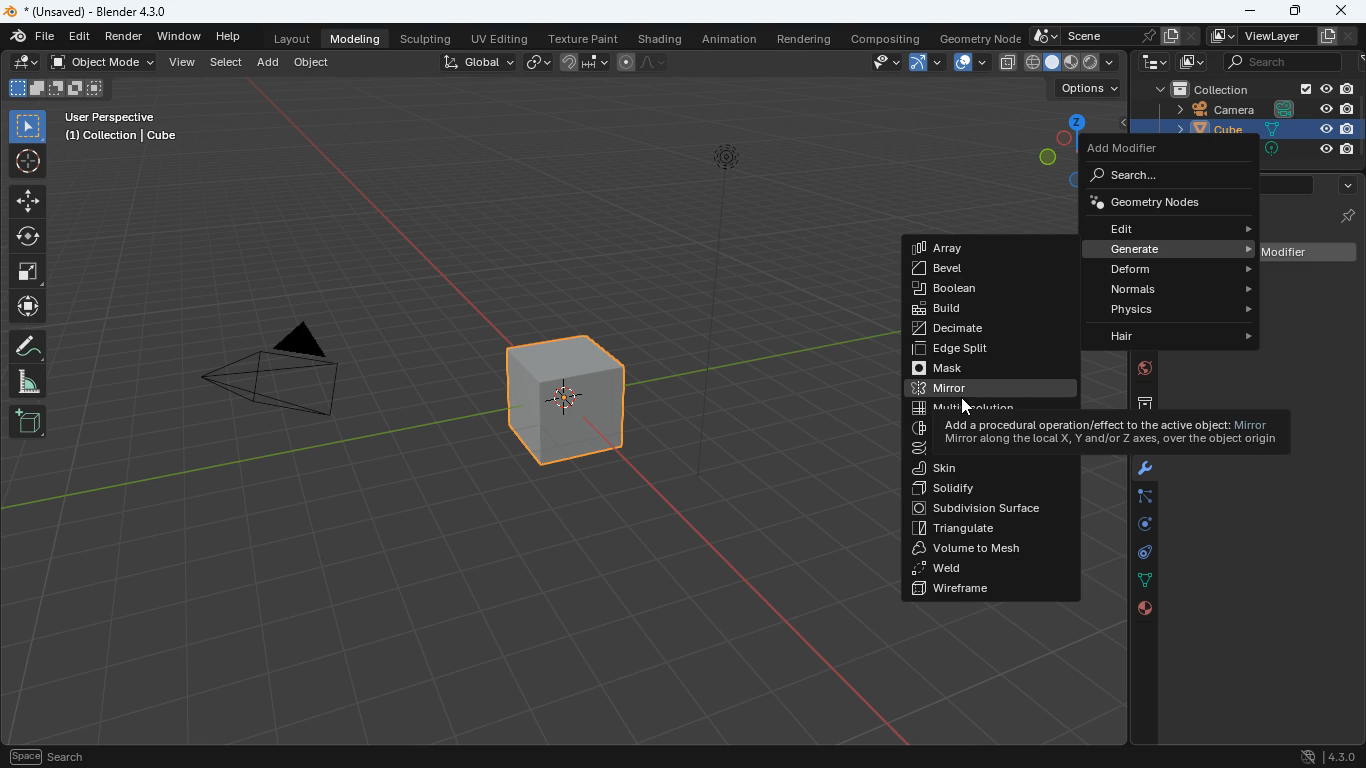 This screenshot has width=1366, height=768. What do you see at coordinates (80, 38) in the screenshot?
I see `edit` at bounding box center [80, 38].